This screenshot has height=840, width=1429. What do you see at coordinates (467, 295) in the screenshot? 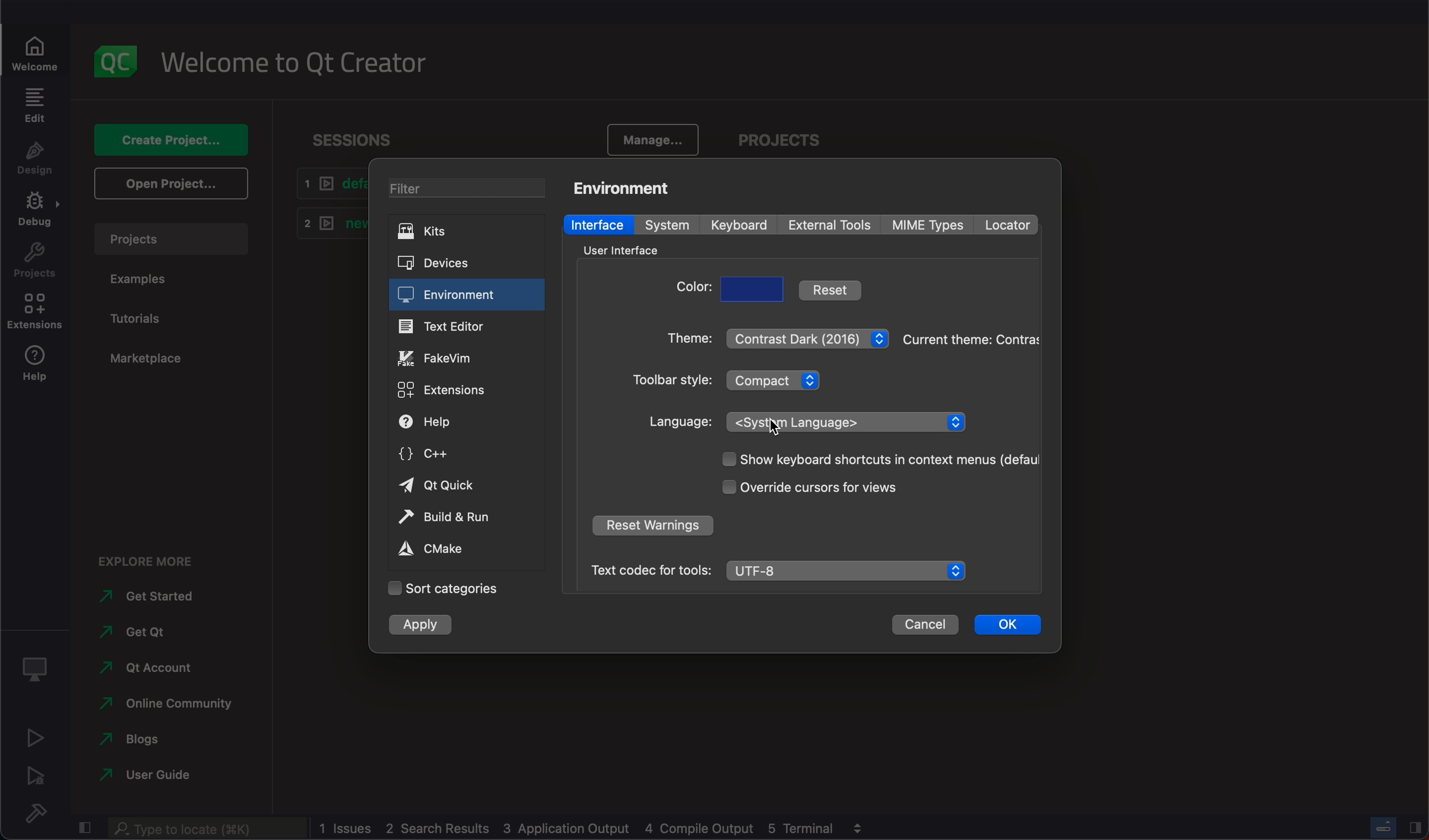
I see `environment` at bounding box center [467, 295].